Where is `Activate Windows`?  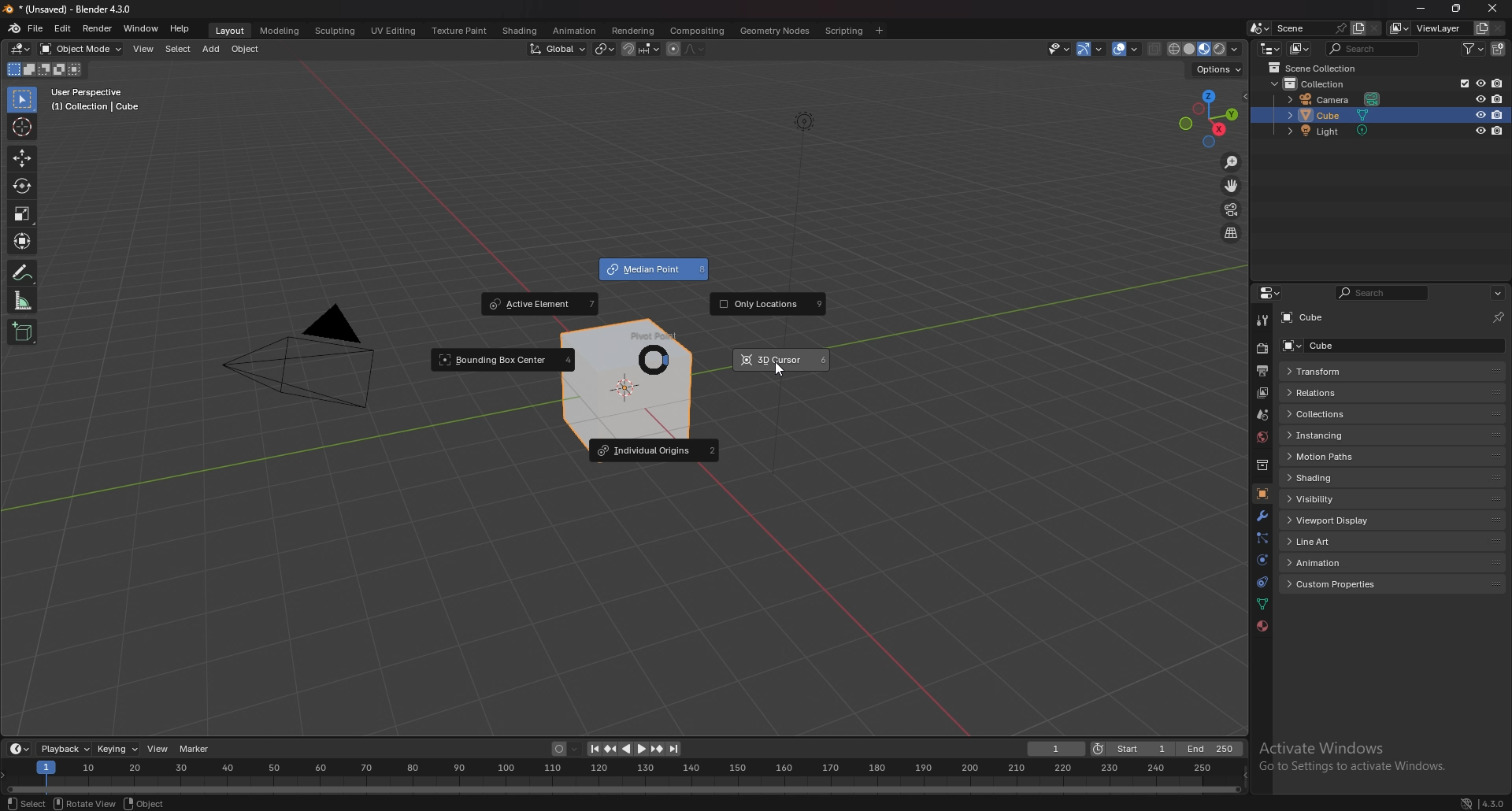
Activate Windows is located at coordinates (1367, 754).